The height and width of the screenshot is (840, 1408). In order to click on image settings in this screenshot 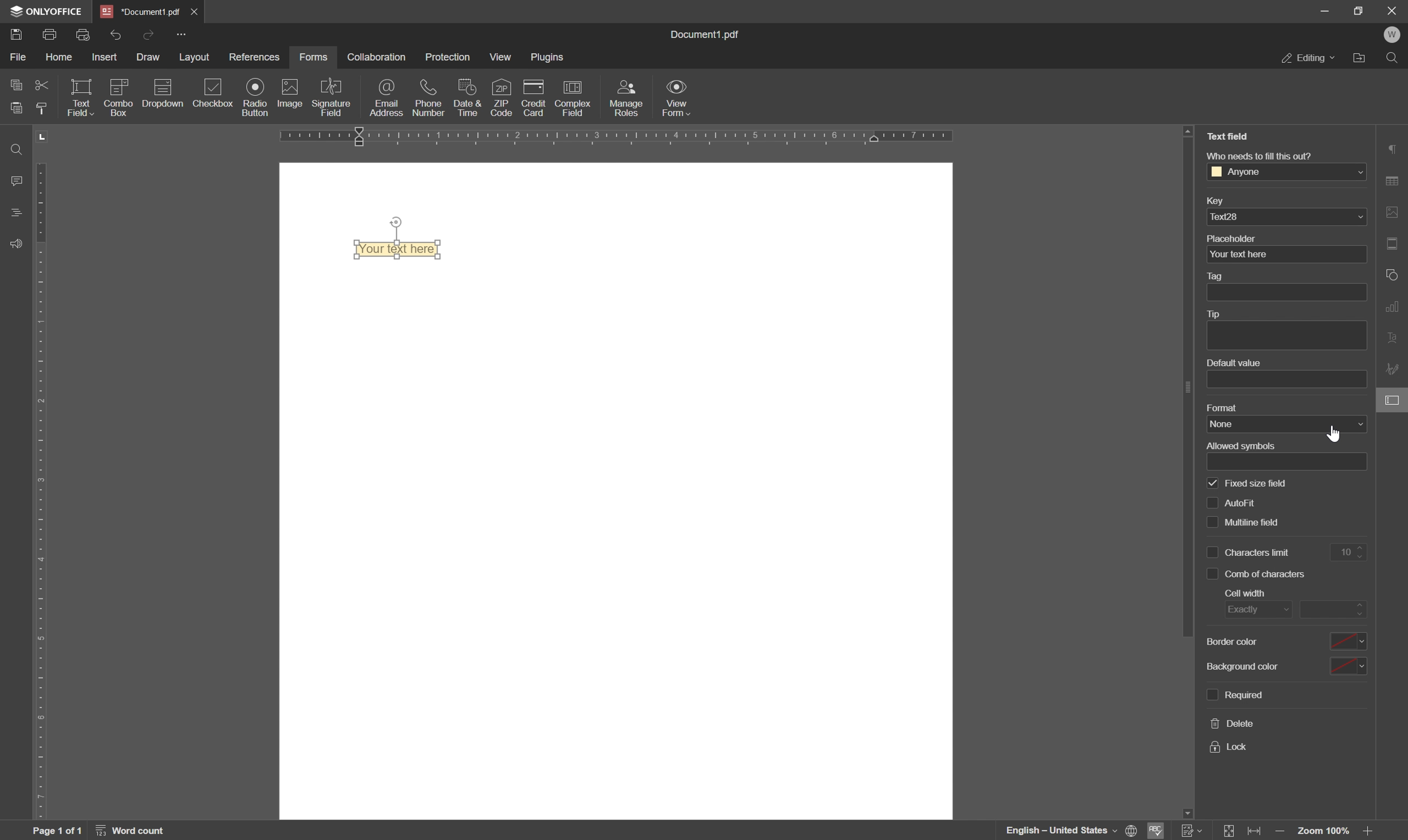, I will do `click(1395, 213)`.